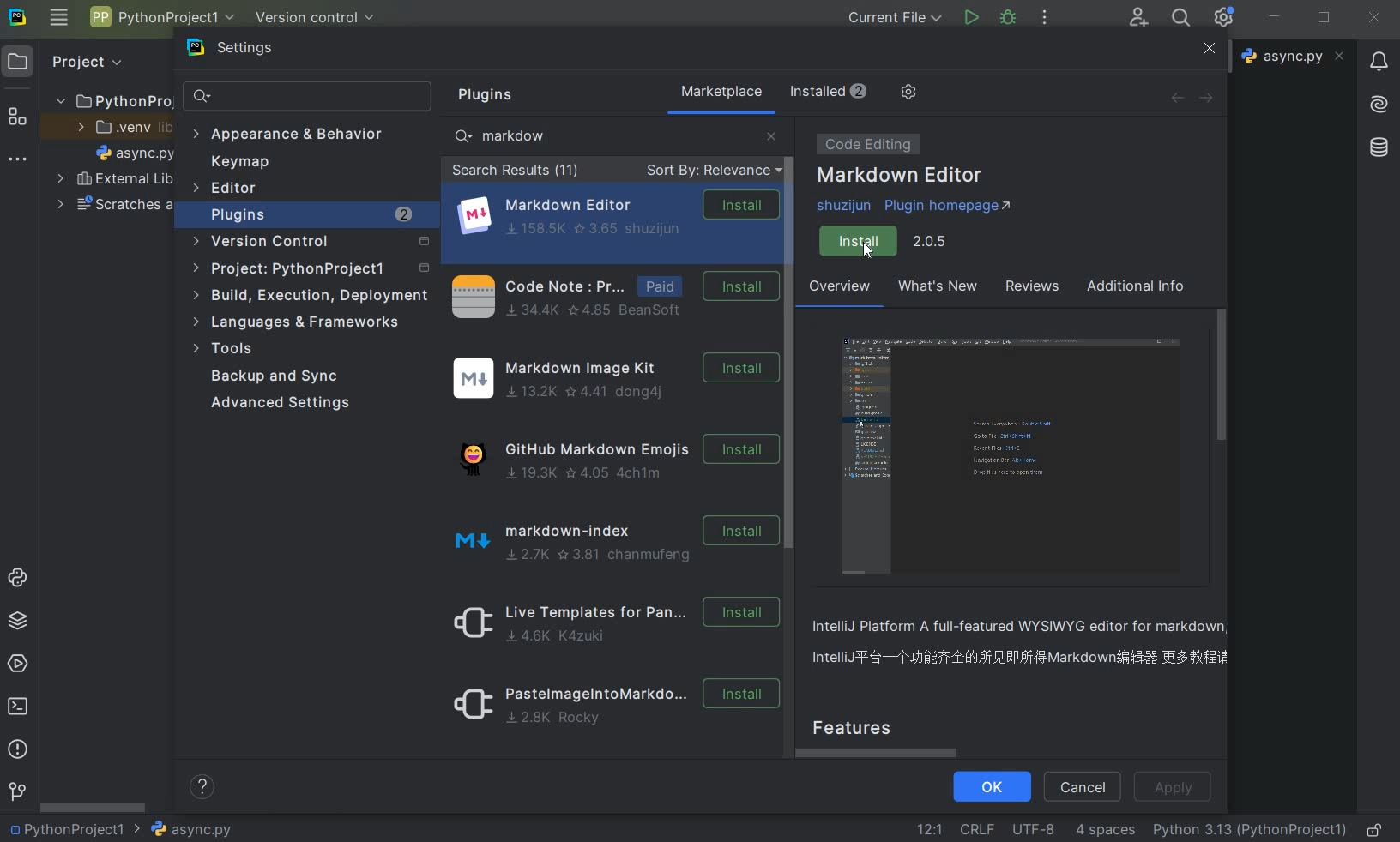 This screenshot has width=1400, height=842. I want to click on scrollbar, so click(1223, 374).